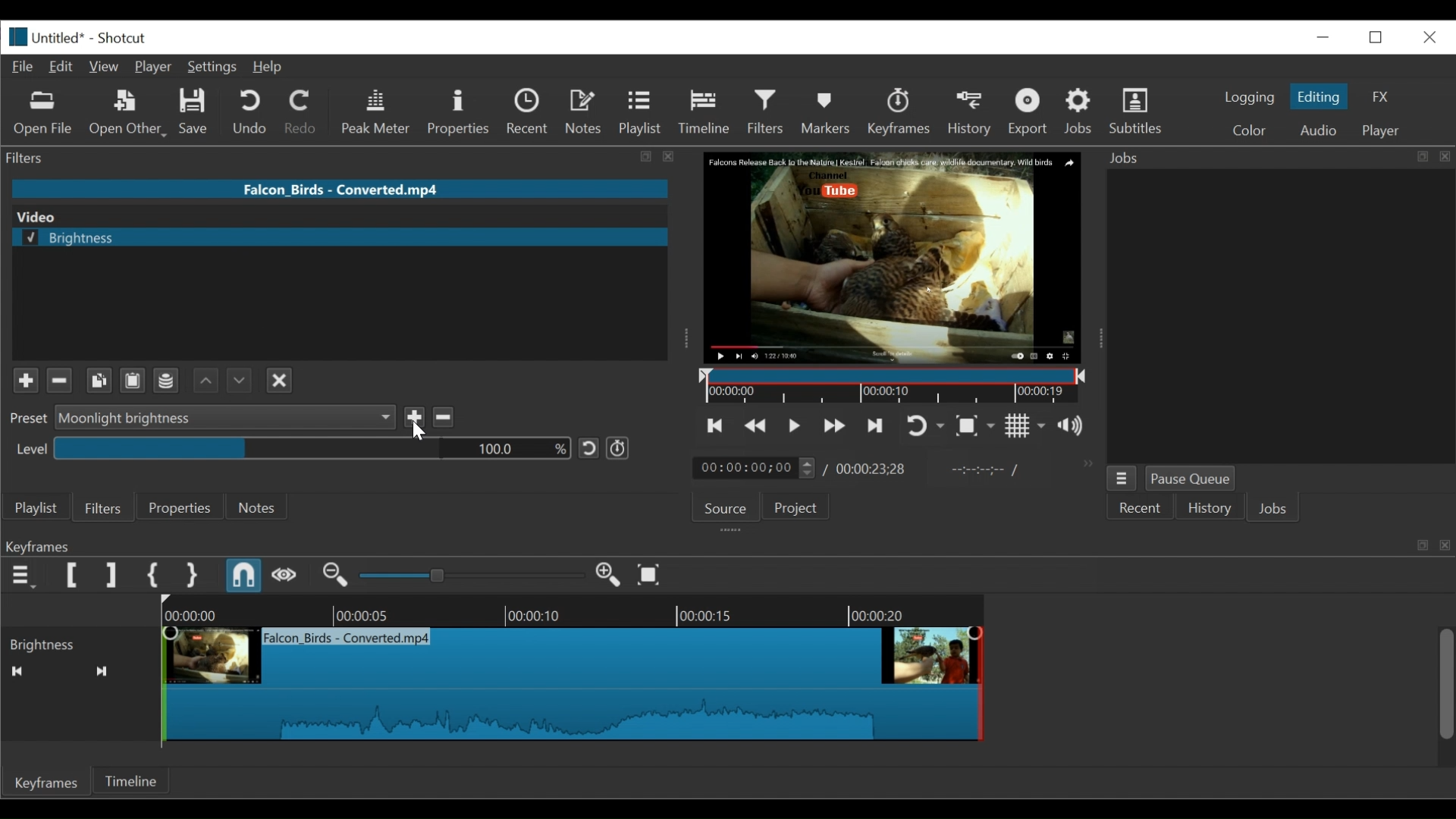 The height and width of the screenshot is (819, 1456). What do you see at coordinates (890, 257) in the screenshot?
I see `Media Viewer` at bounding box center [890, 257].